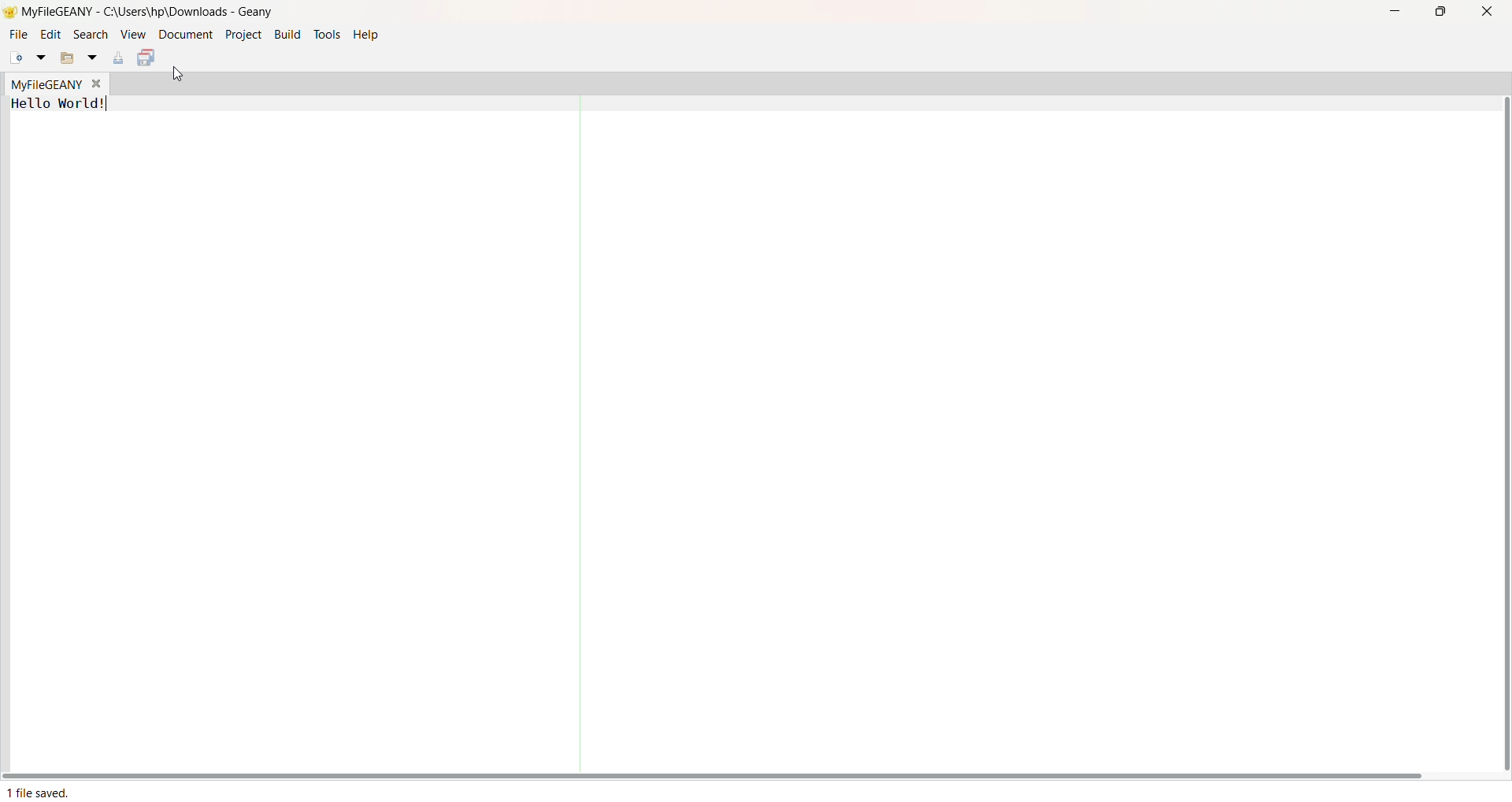  I want to click on Edit, so click(48, 35).